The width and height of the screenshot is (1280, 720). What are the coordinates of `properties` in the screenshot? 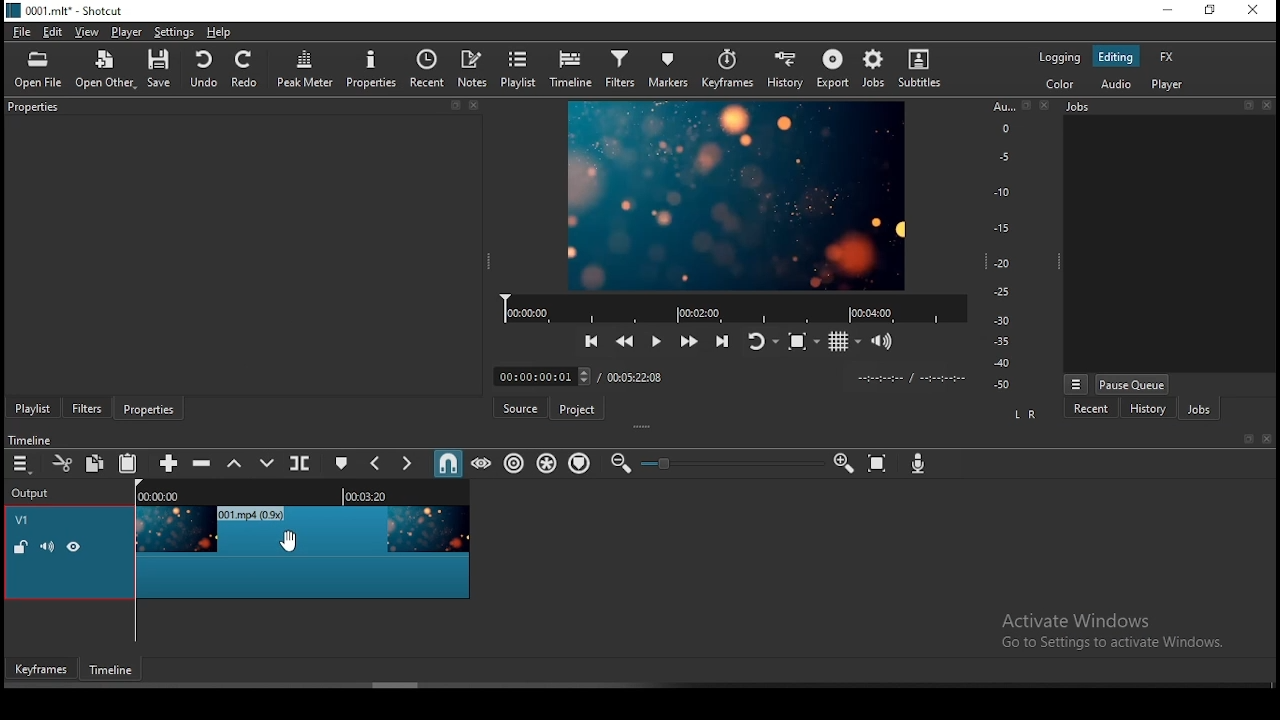 It's located at (243, 108).